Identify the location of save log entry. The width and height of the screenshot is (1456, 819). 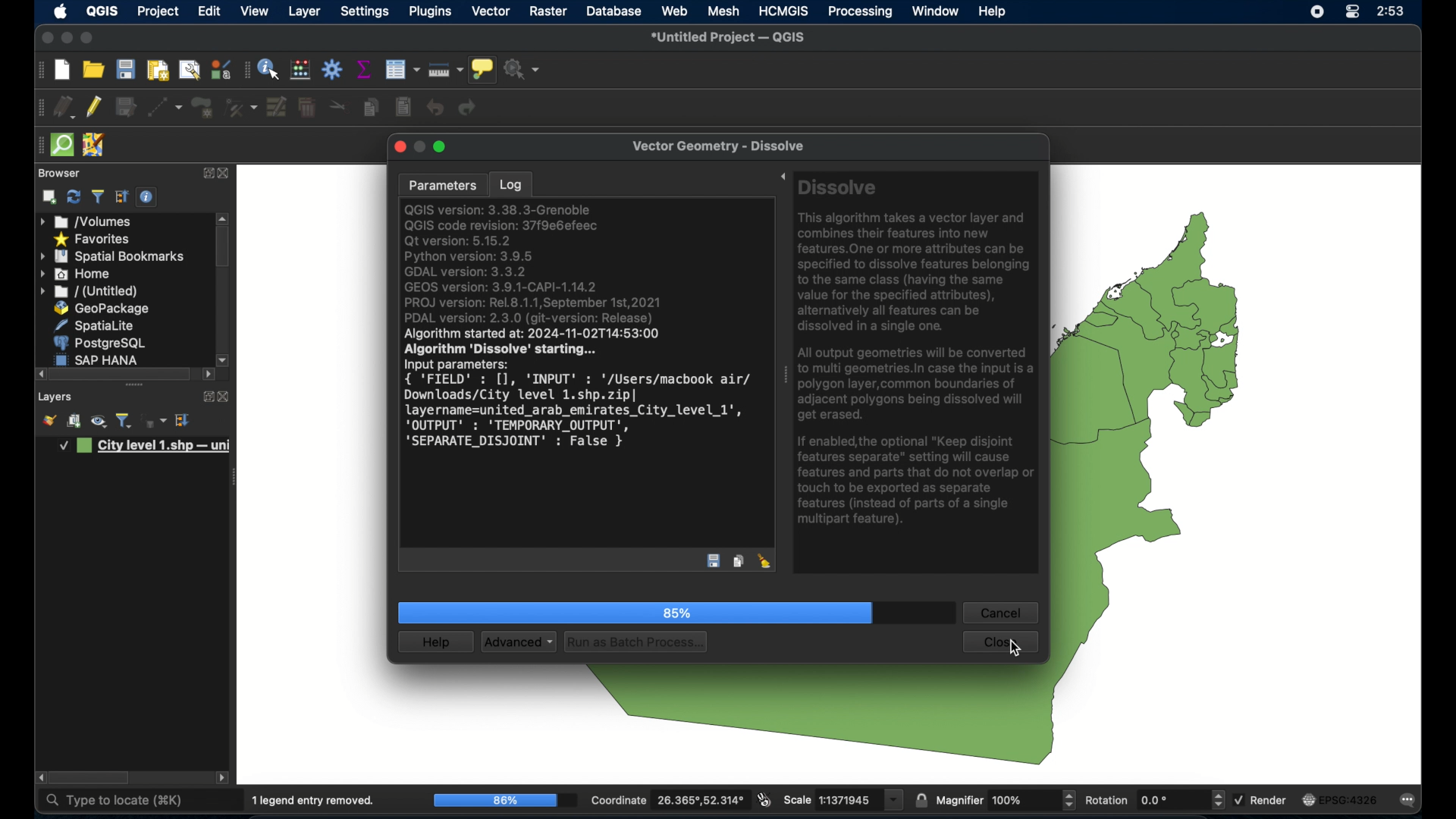
(714, 563).